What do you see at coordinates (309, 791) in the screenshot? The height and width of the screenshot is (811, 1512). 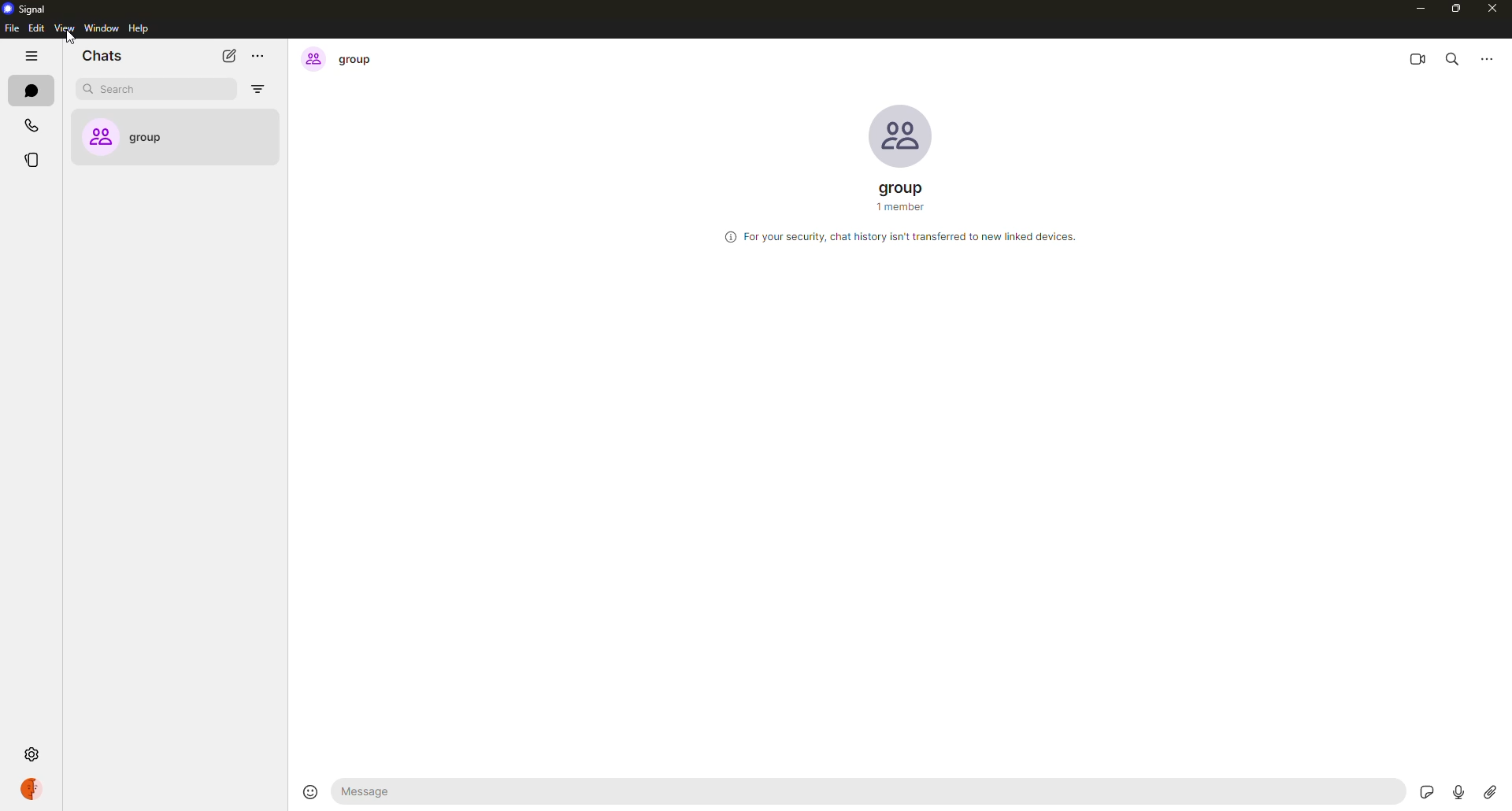 I see `emoji` at bounding box center [309, 791].